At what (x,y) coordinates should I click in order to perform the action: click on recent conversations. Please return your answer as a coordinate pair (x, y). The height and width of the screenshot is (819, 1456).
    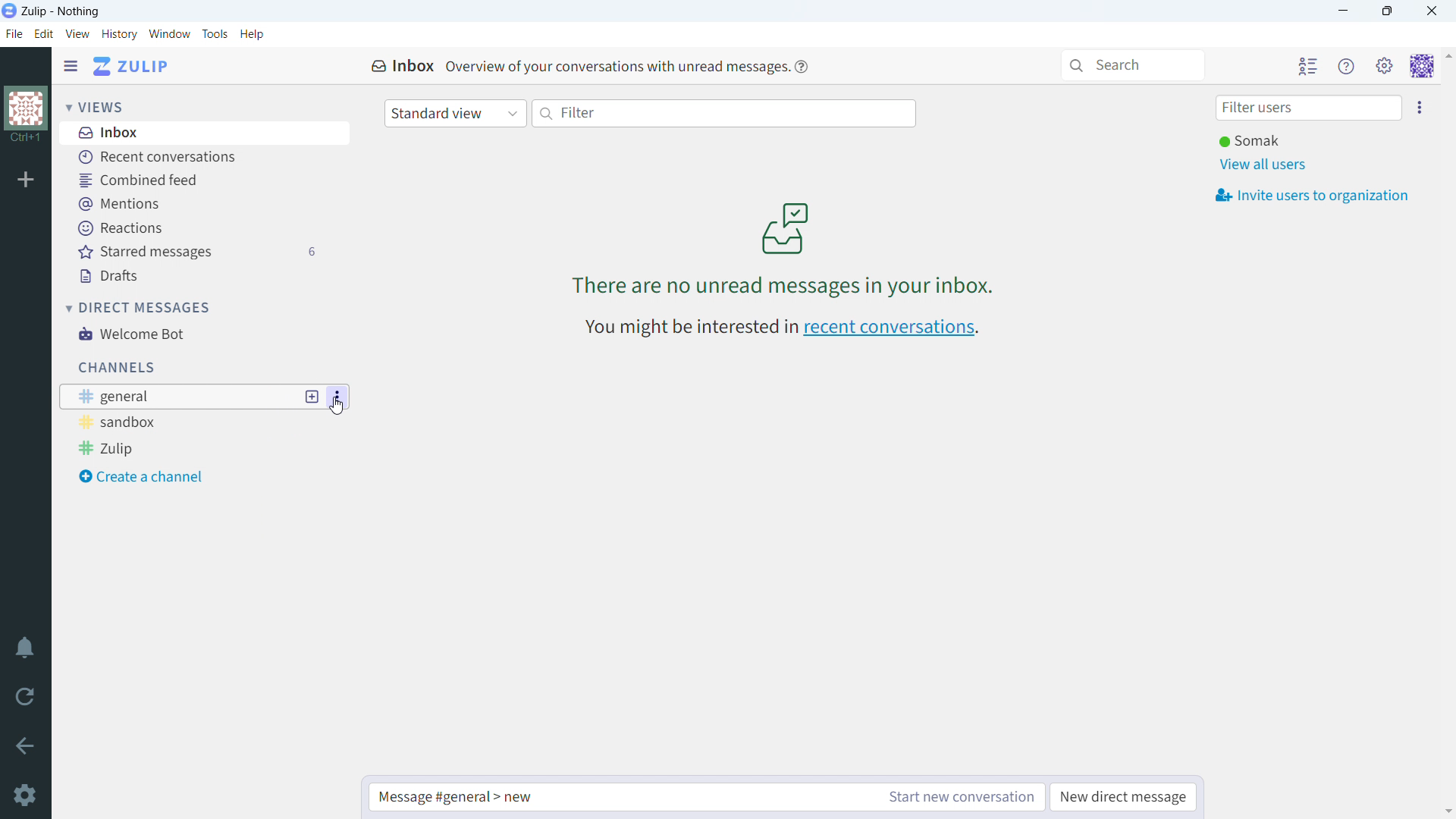
    Looking at the image, I should click on (892, 329).